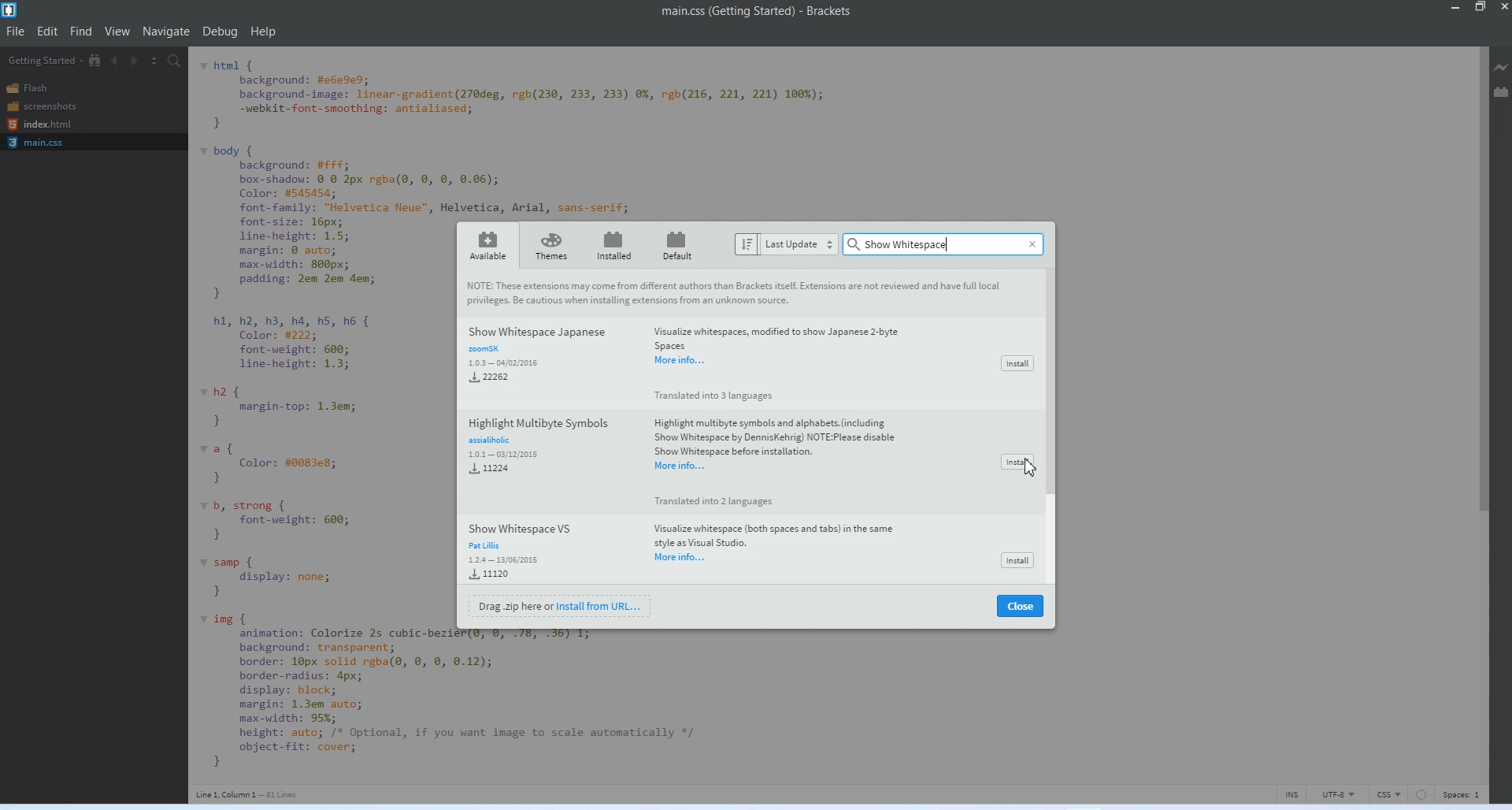 The height and width of the screenshot is (810, 1512). What do you see at coordinates (154, 59) in the screenshot?
I see `Split editor vertically and Horizontally` at bounding box center [154, 59].